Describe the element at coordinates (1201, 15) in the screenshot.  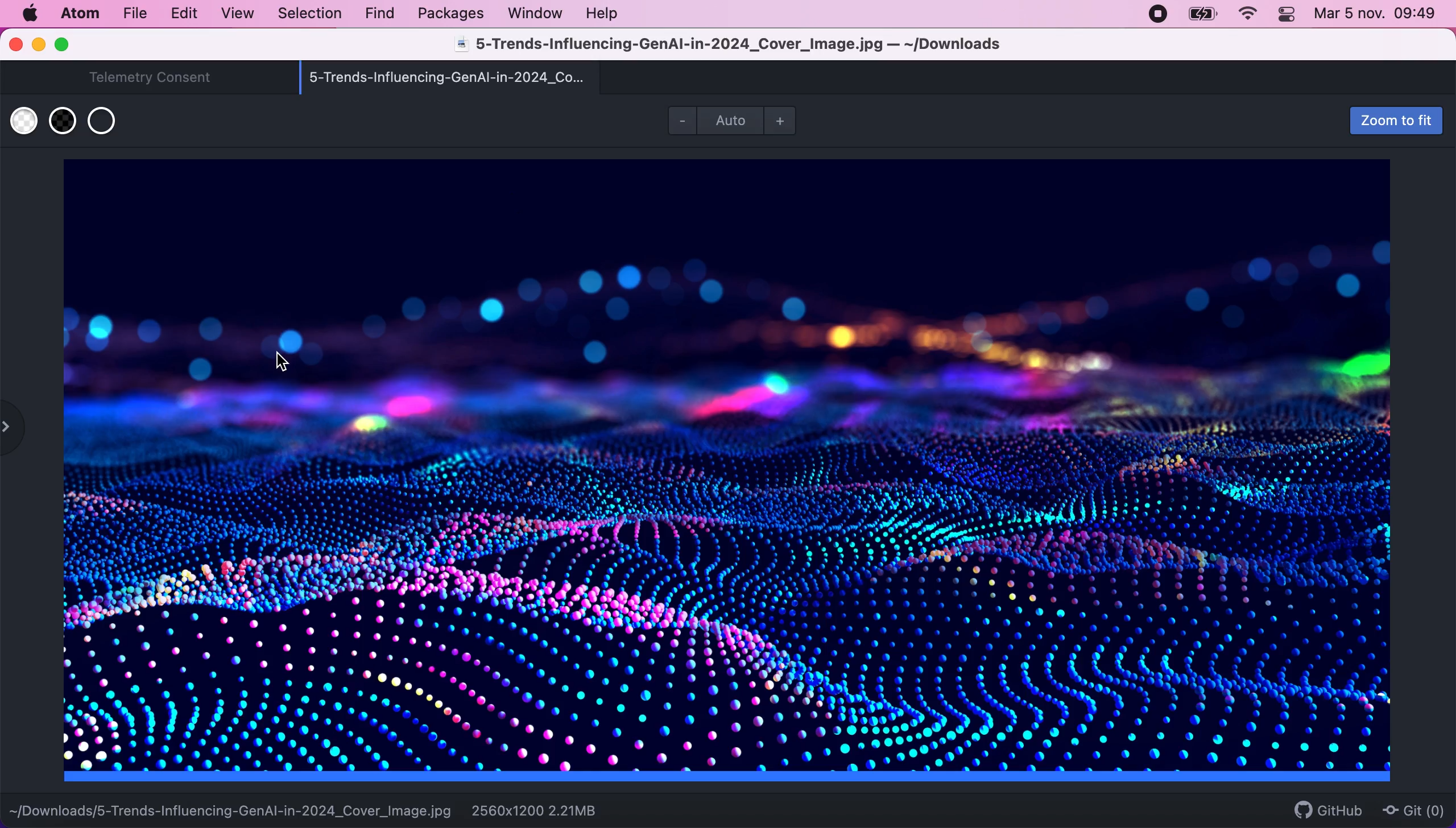
I see `battery` at that location.